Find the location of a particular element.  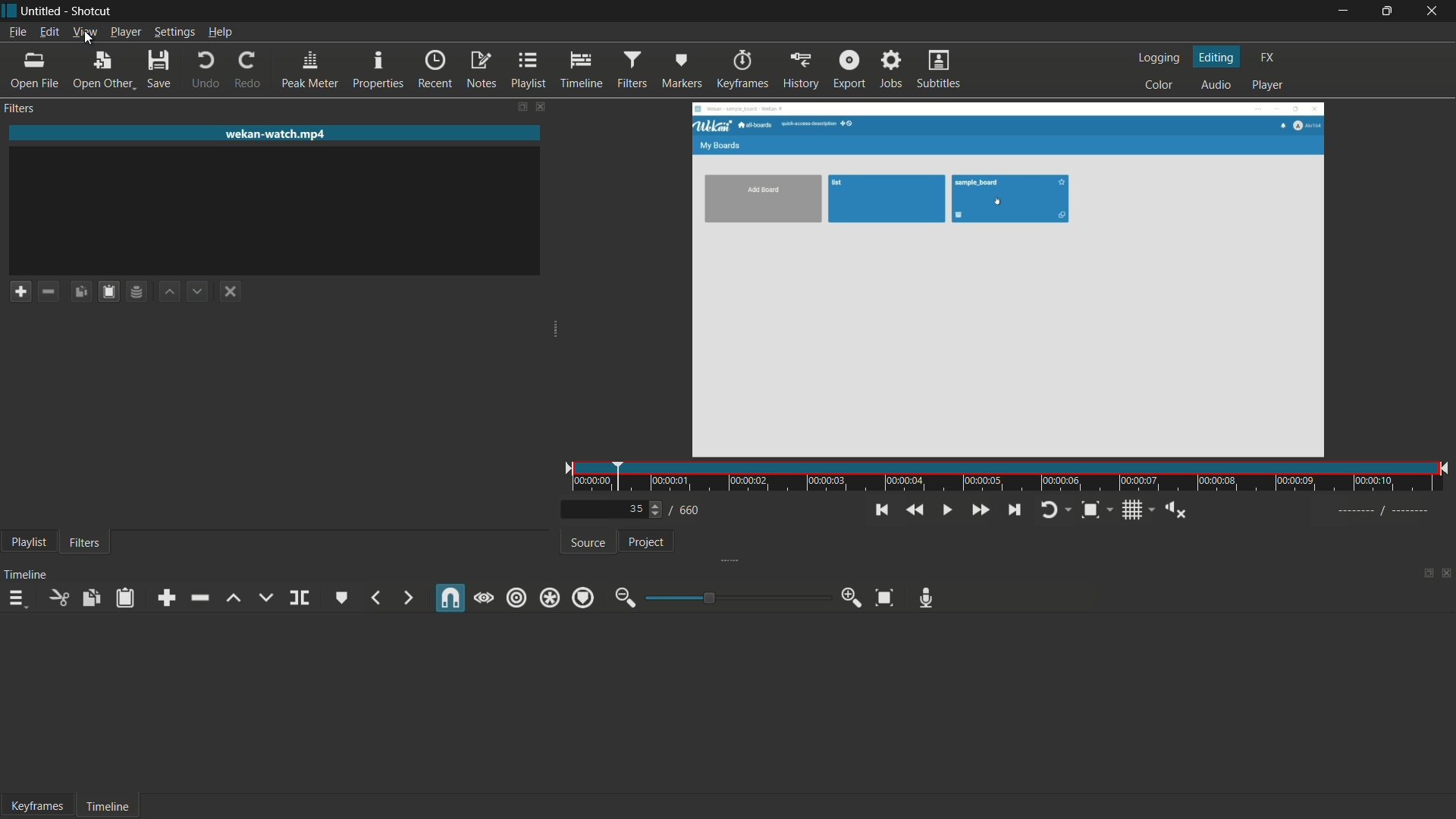

zoom in is located at coordinates (849, 598).